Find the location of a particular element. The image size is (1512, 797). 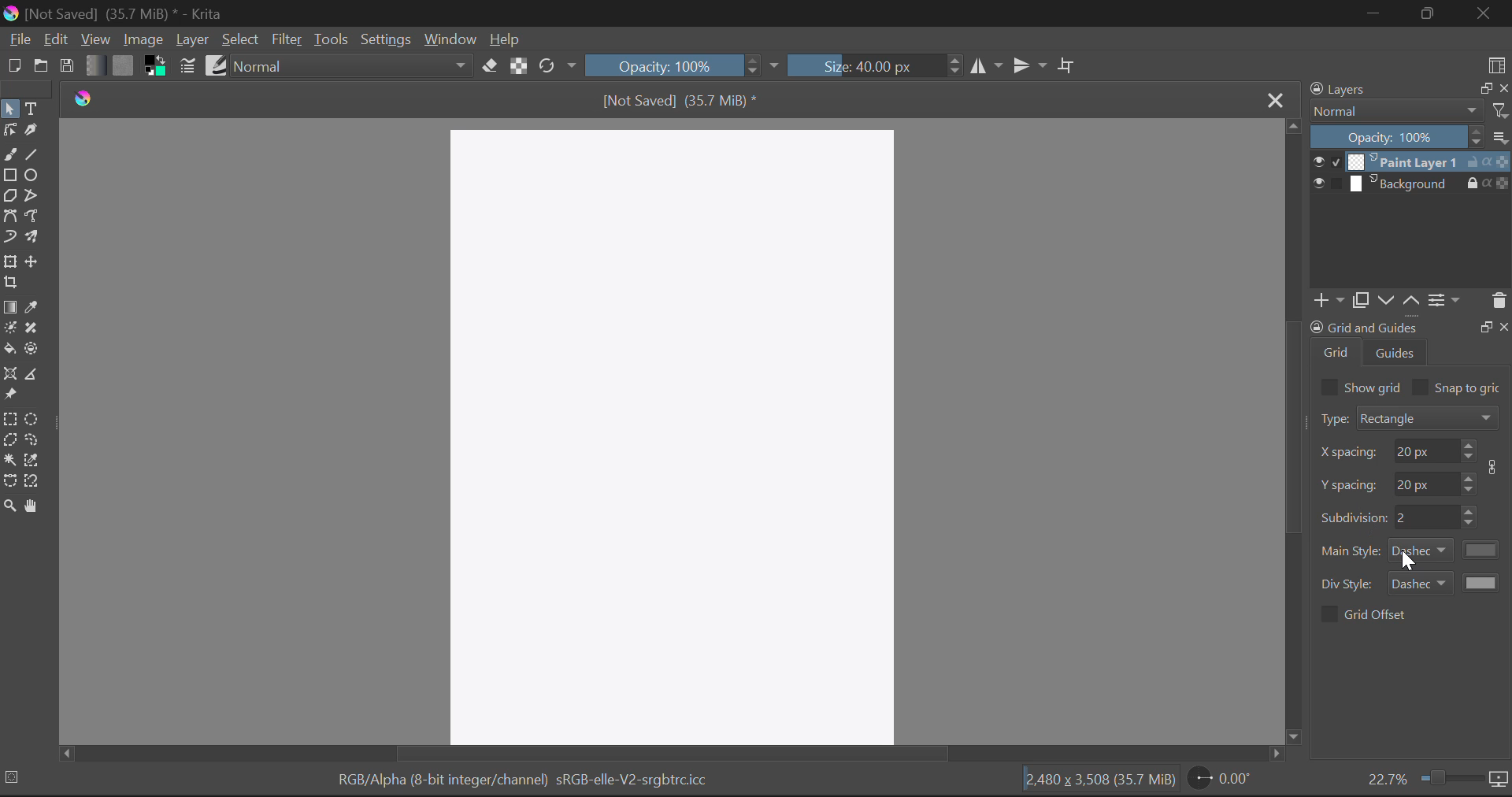

snap to grid is located at coordinates (1469, 389).